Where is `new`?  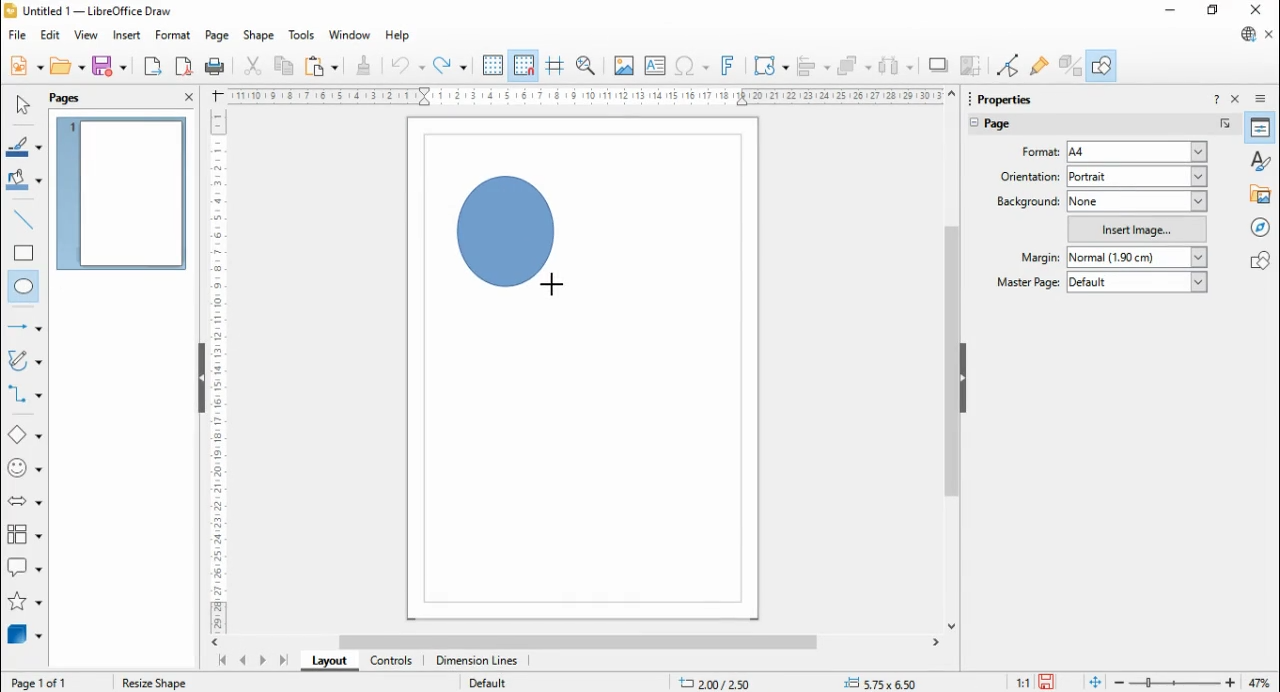 new is located at coordinates (26, 65).